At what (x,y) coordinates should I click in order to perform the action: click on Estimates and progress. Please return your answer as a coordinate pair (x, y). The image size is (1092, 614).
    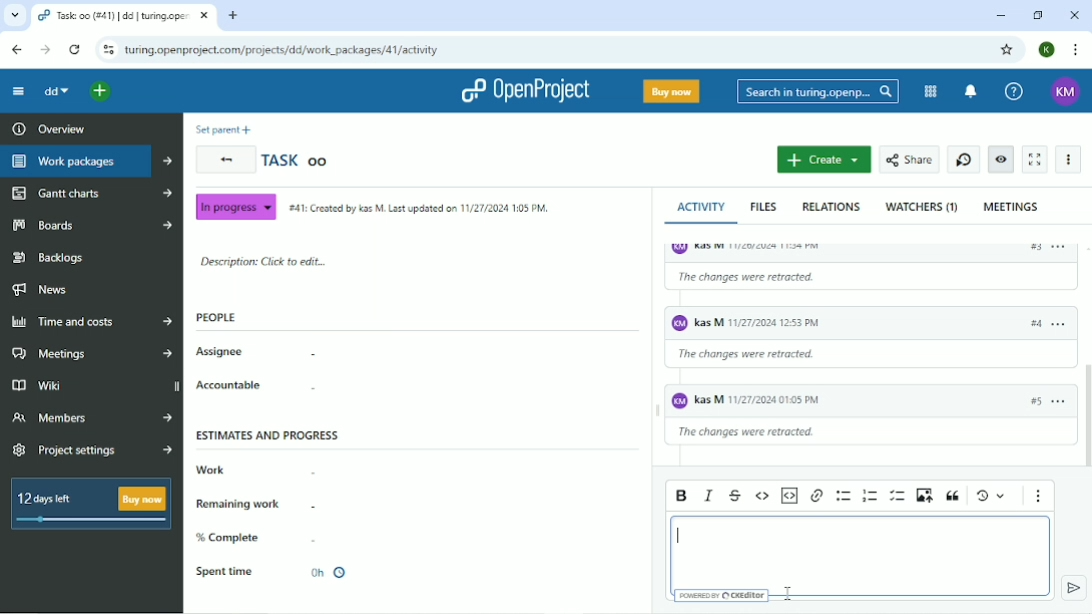
    Looking at the image, I should click on (268, 434).